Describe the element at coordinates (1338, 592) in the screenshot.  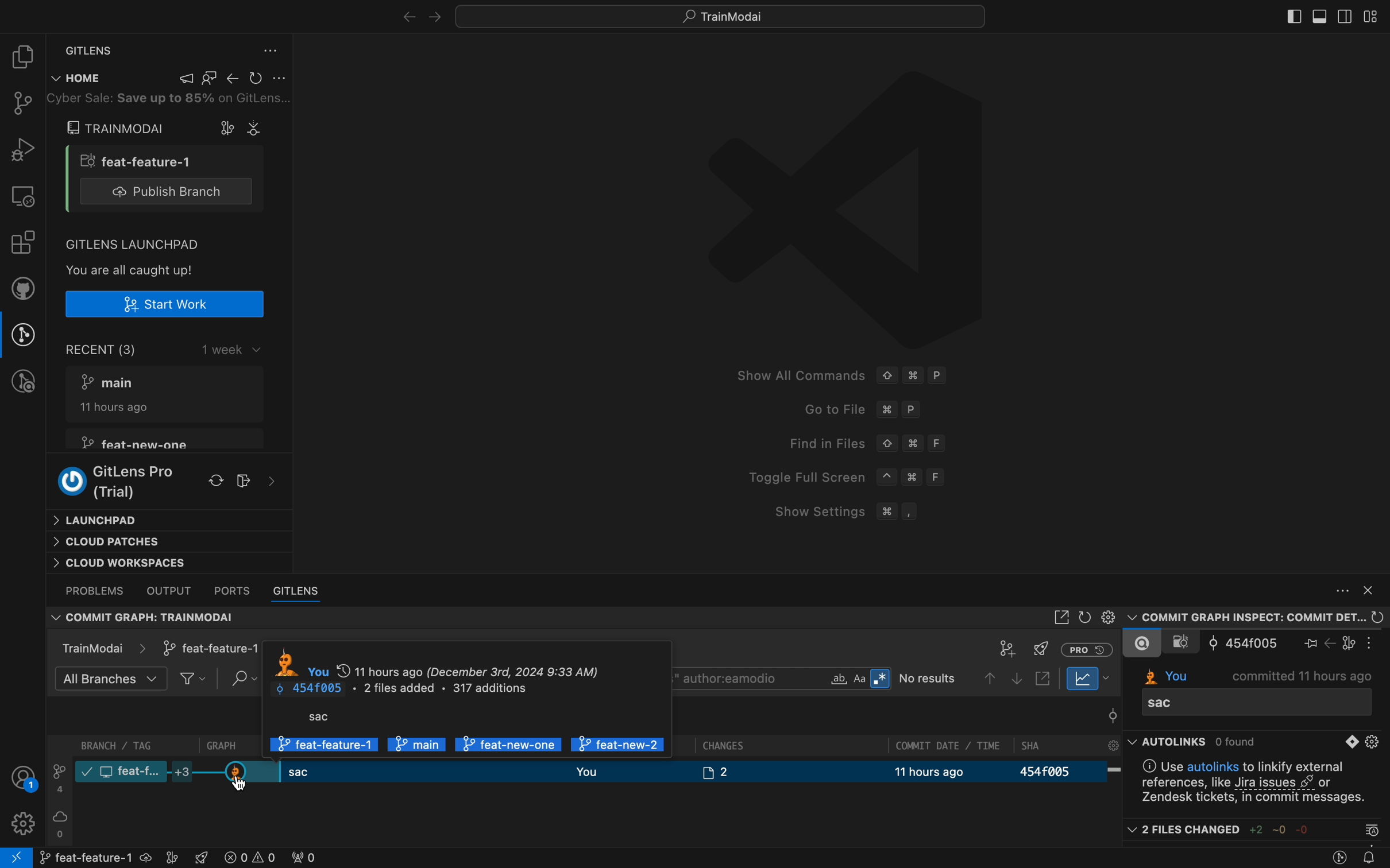
I see `More actions` at that location.